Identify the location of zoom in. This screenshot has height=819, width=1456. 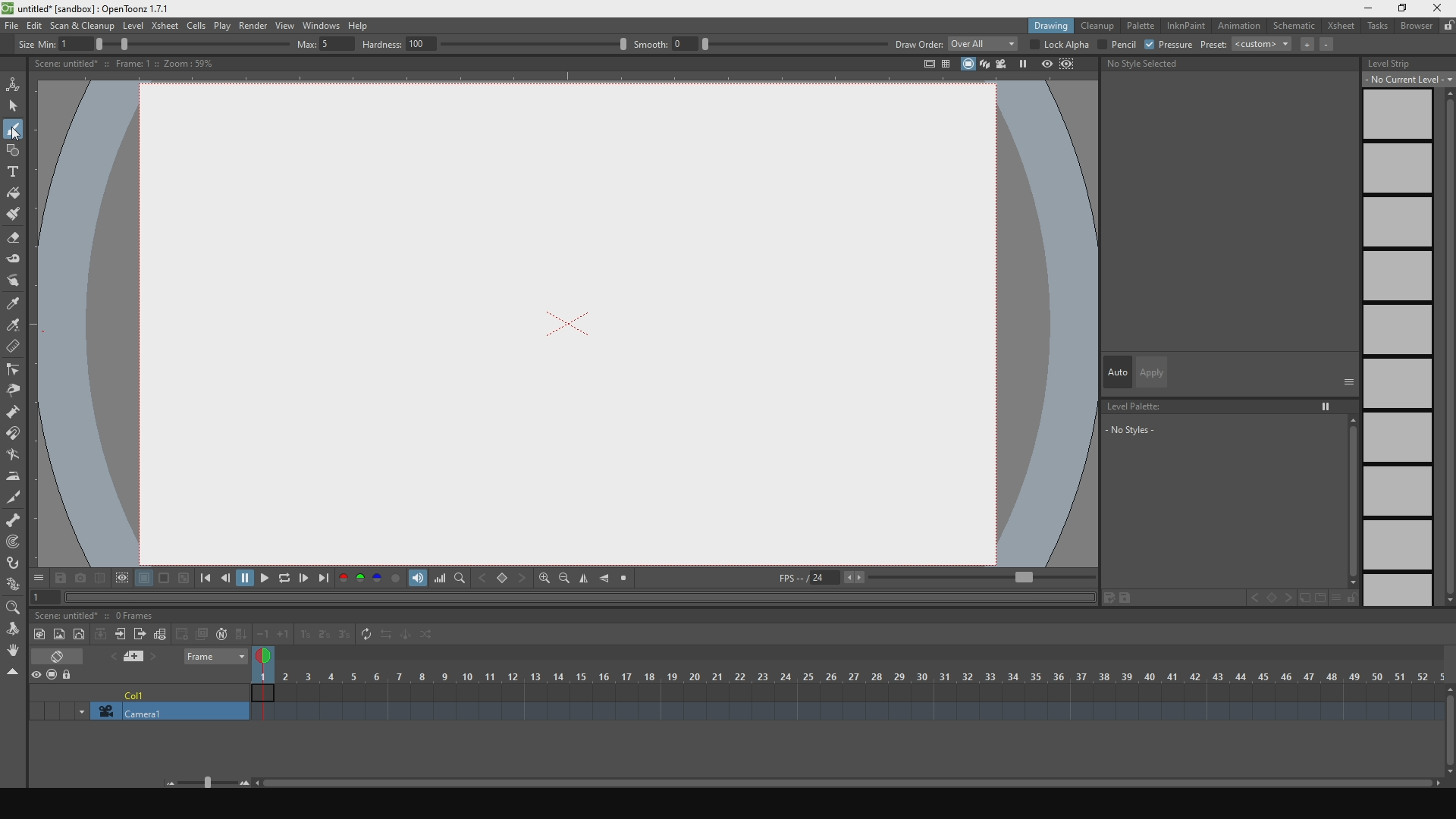
(544, 579).